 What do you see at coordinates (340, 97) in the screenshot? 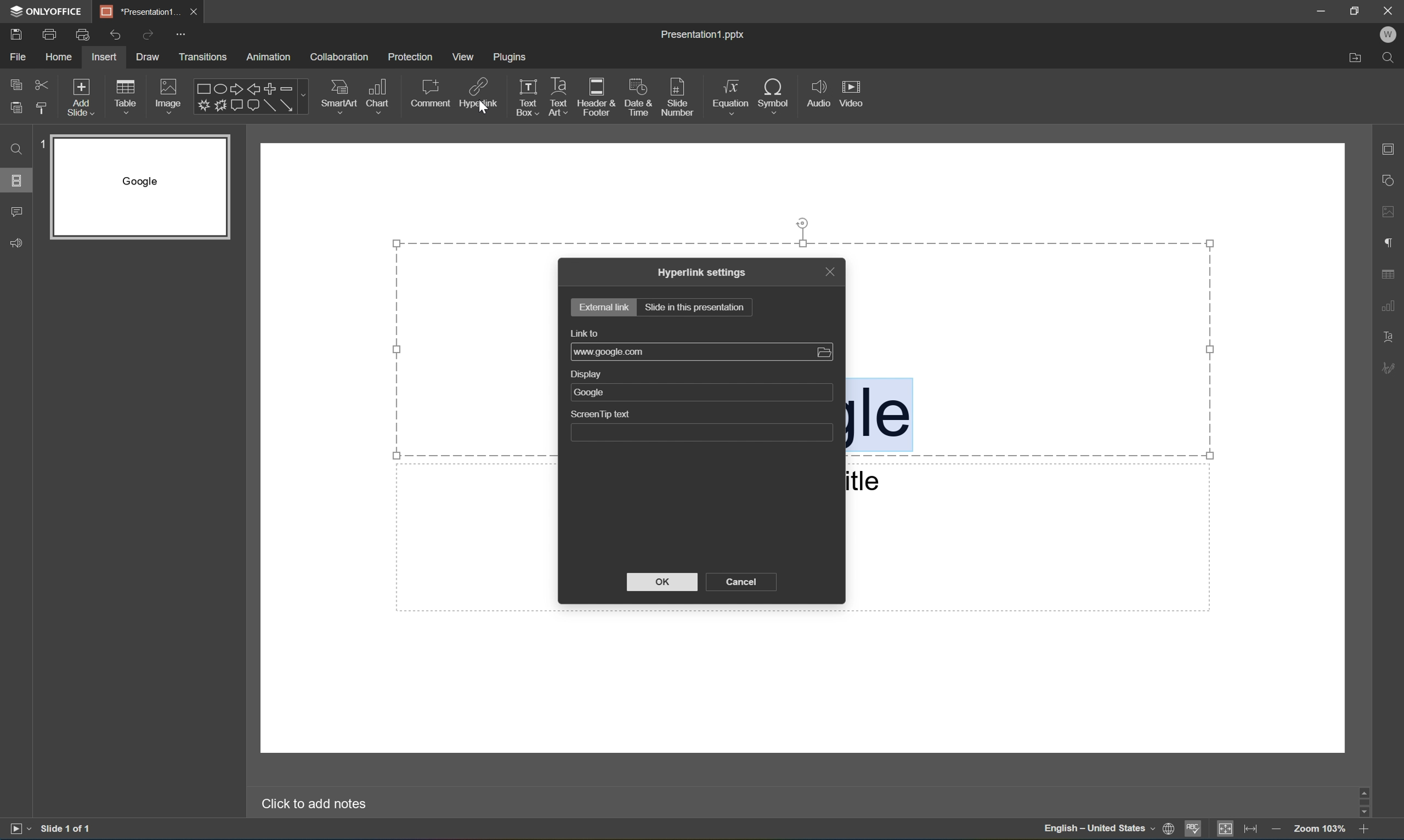
I see `SmartArt` at bounding box center [340, 97].